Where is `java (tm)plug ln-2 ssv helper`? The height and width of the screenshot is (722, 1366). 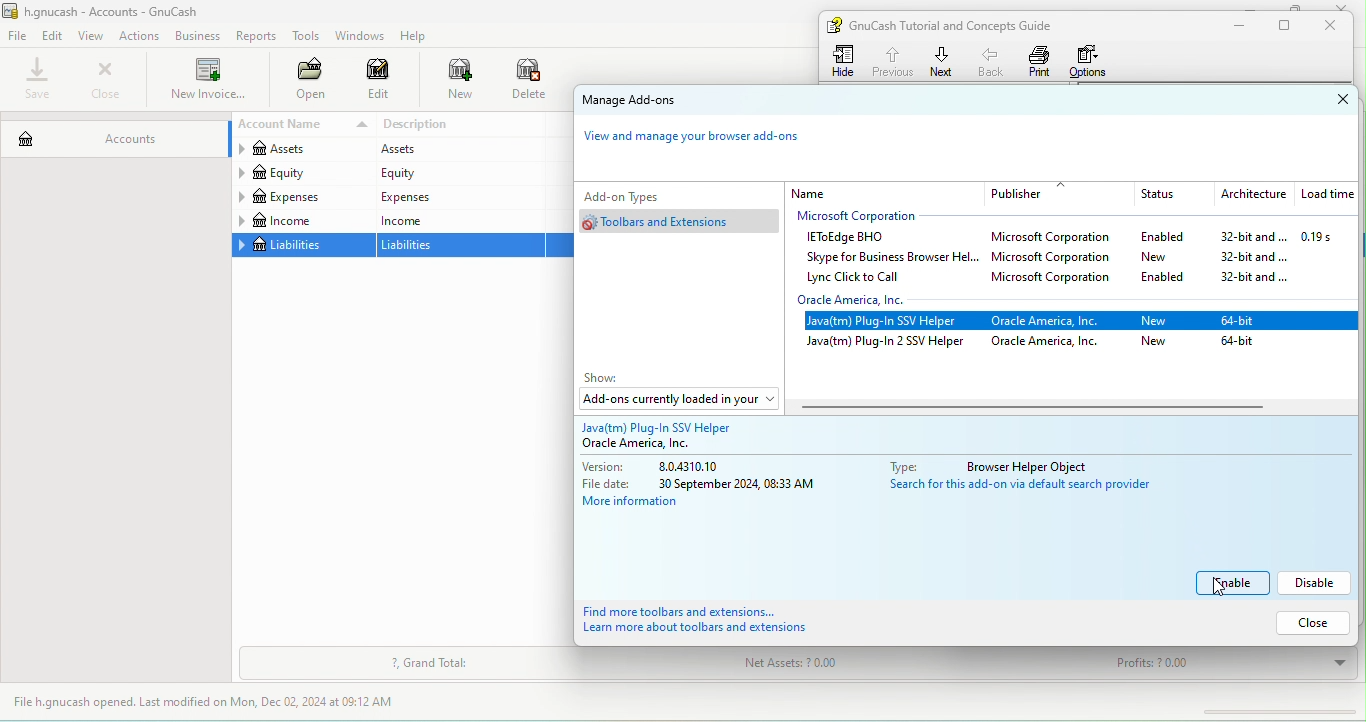
java (tm)plug ln-2 ssv helper is located at coordinates (886, 344).